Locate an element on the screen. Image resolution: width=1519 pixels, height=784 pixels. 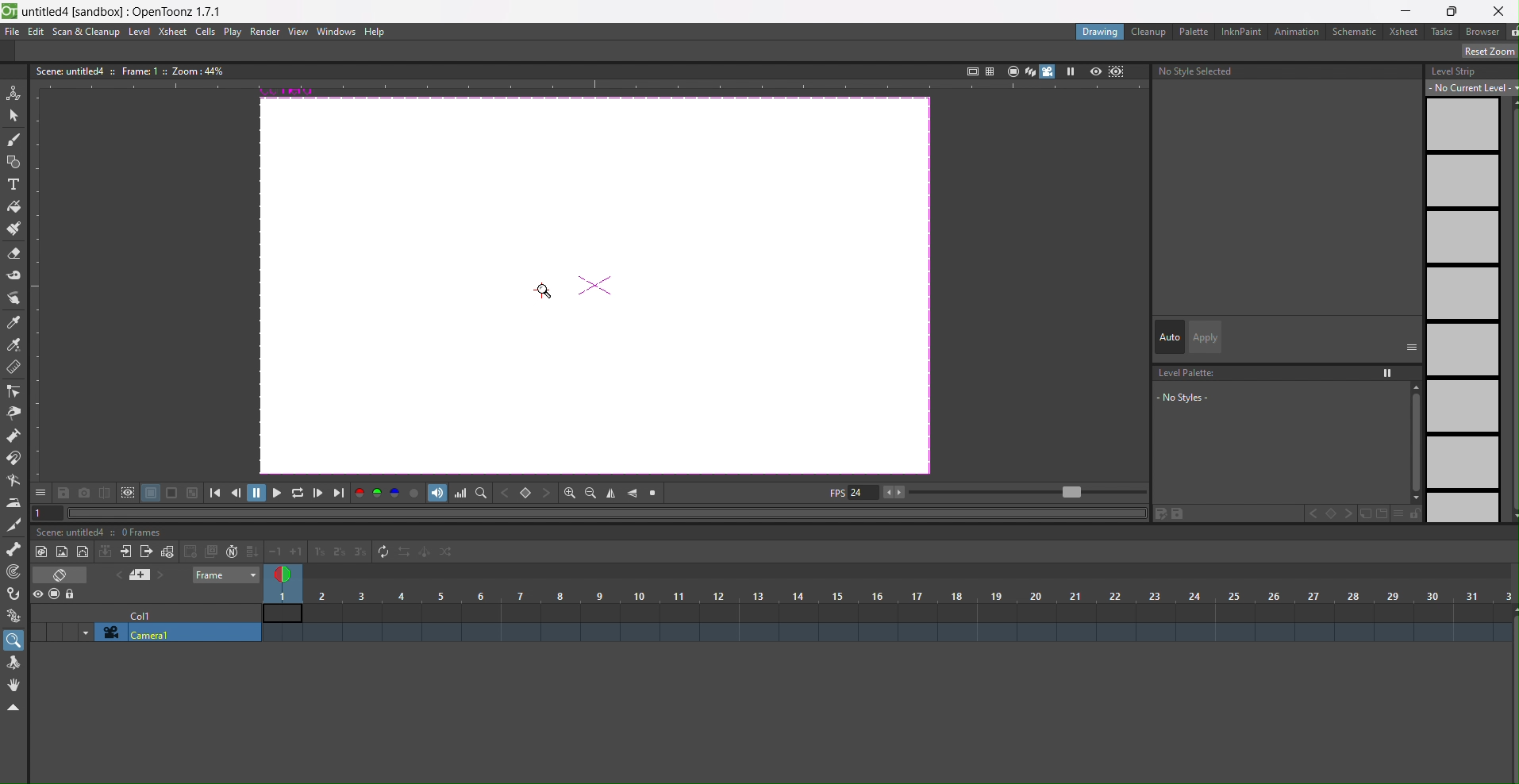
iron tool is located at coordinates (14, 502).